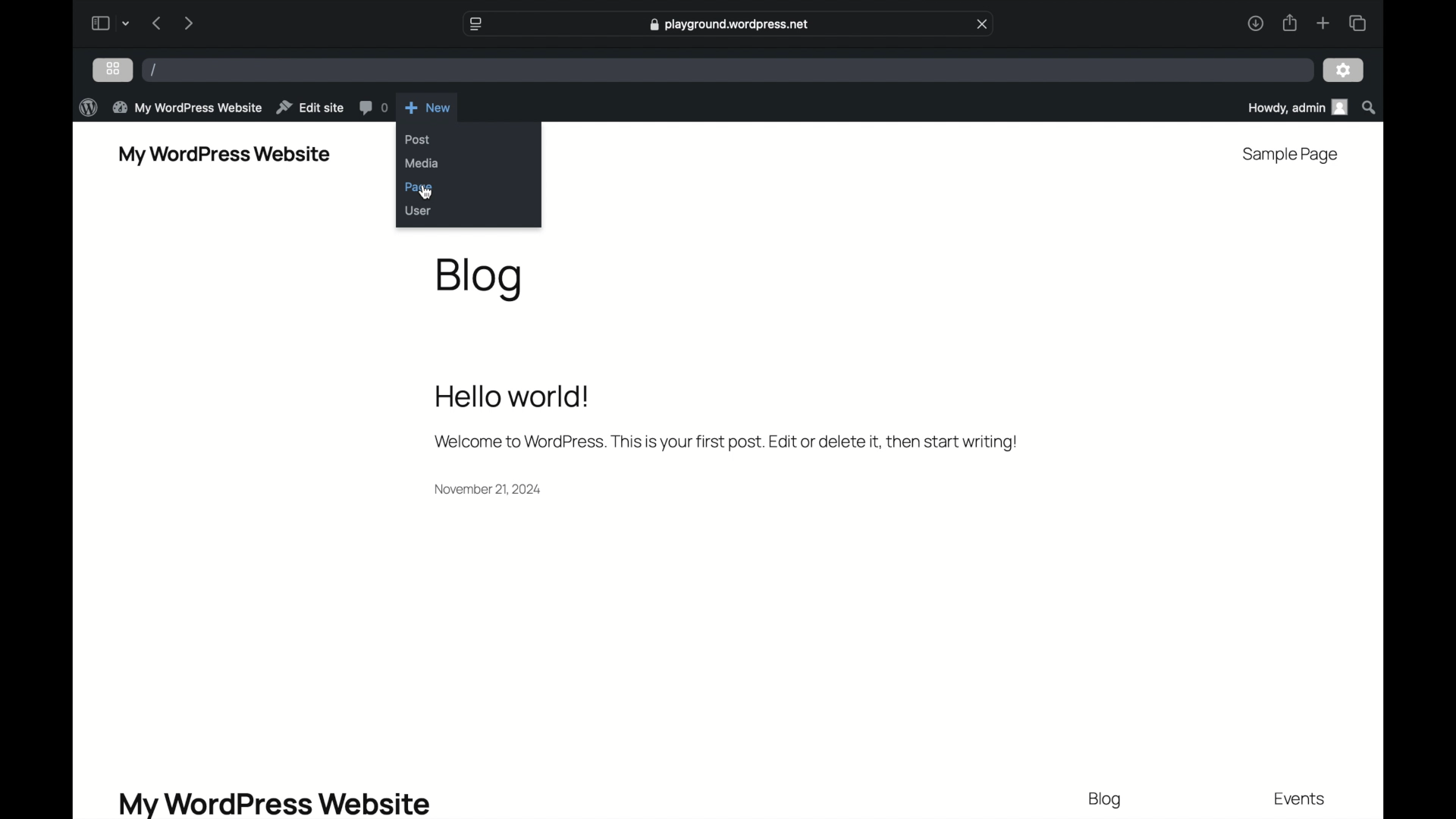 The height and width of the screenshot is (819, 1456). Describe the element at coordinates (372, 109) in the screenshot. I see `comments` at that location.